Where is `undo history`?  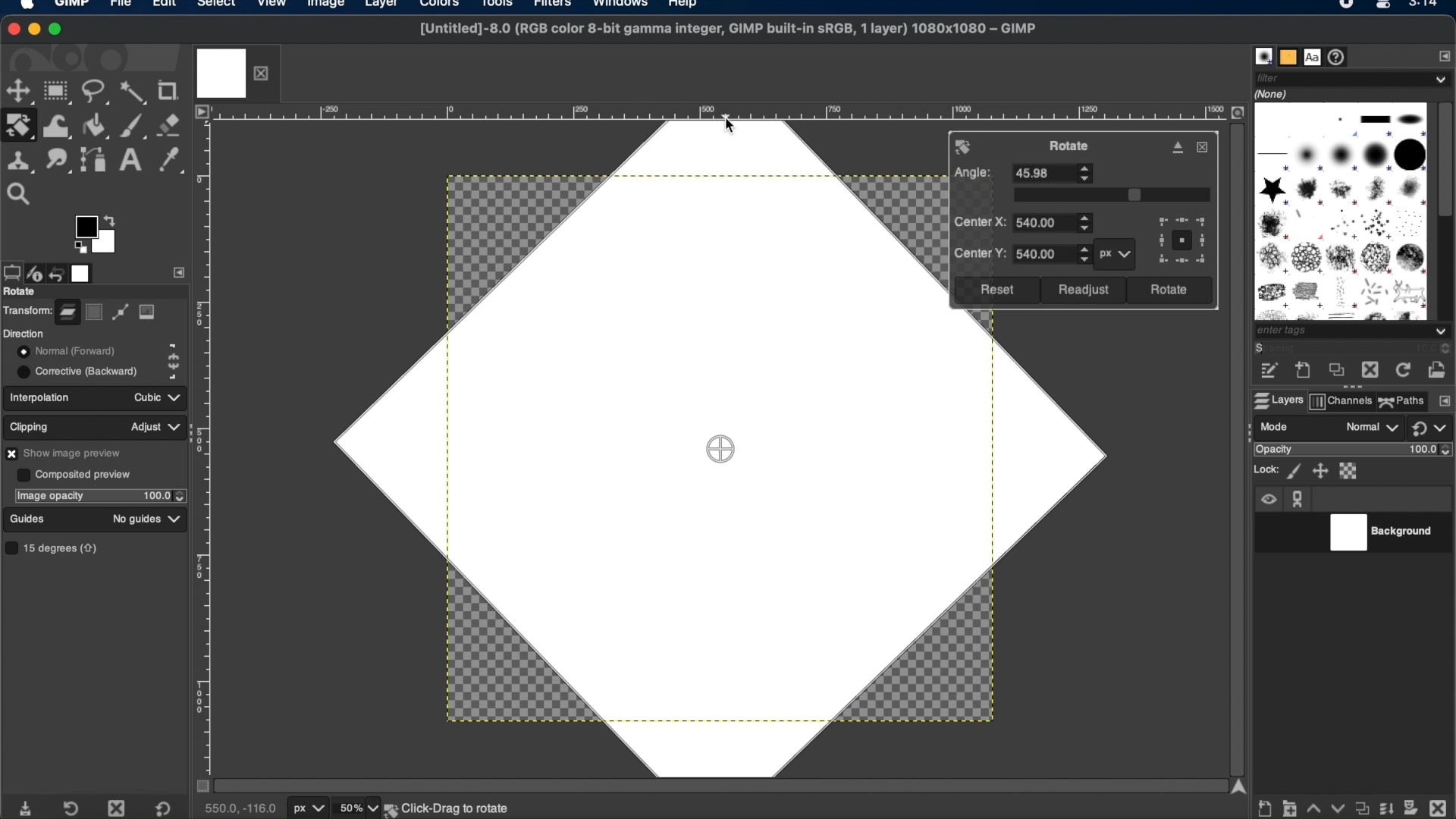 undo history is located at coordinates (58, 271).